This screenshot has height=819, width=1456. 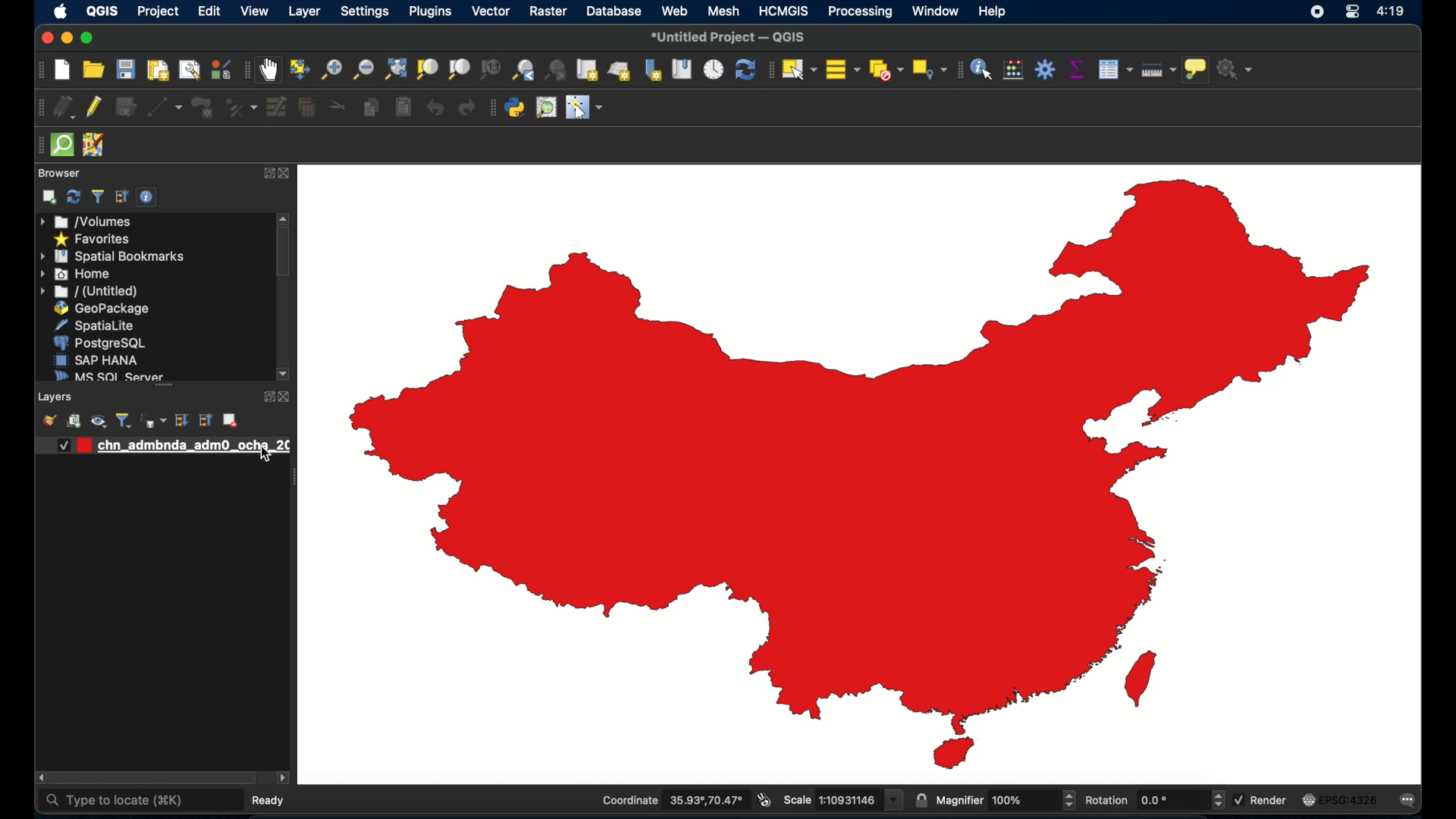 What do you see at coordinates (64, 108) in the screenshot?
I see `current edits` at bounding box center [64, 108].